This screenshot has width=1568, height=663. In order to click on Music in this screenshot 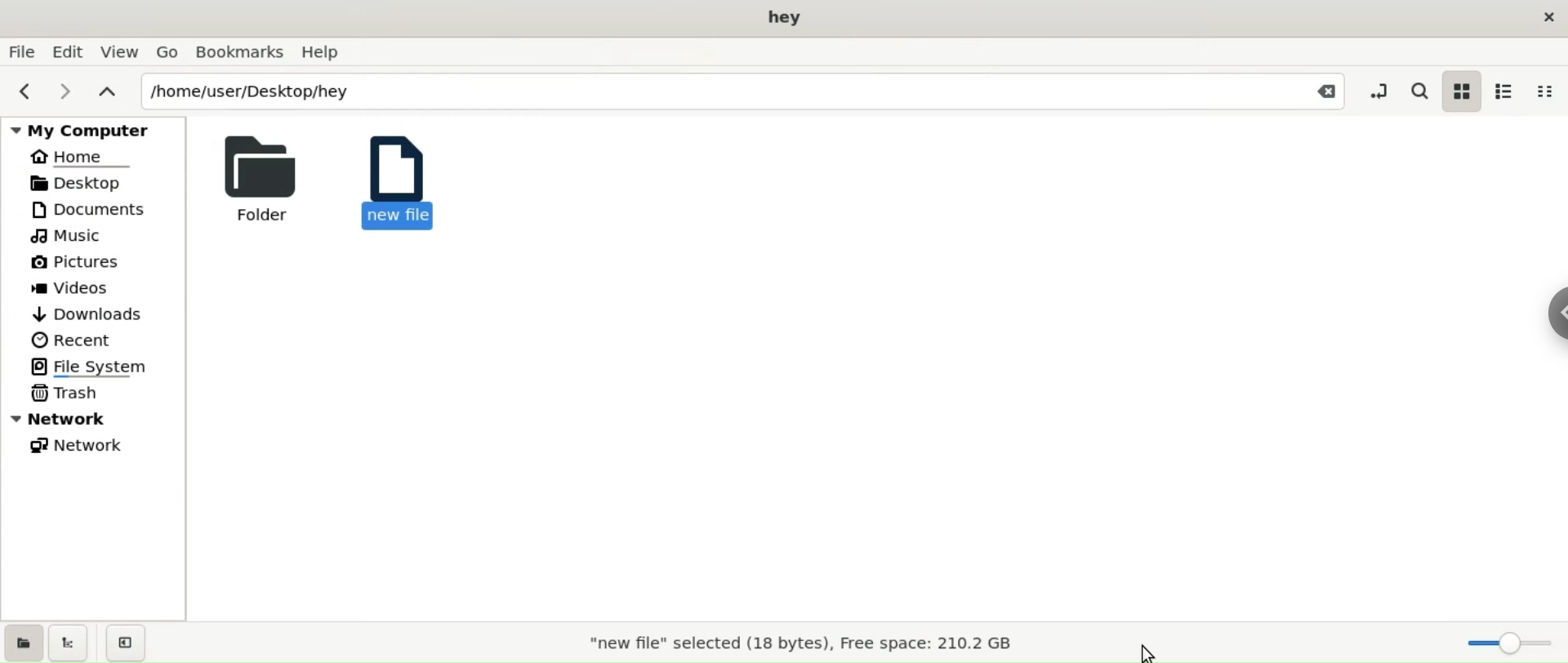, I will do `click(69, 238)`.